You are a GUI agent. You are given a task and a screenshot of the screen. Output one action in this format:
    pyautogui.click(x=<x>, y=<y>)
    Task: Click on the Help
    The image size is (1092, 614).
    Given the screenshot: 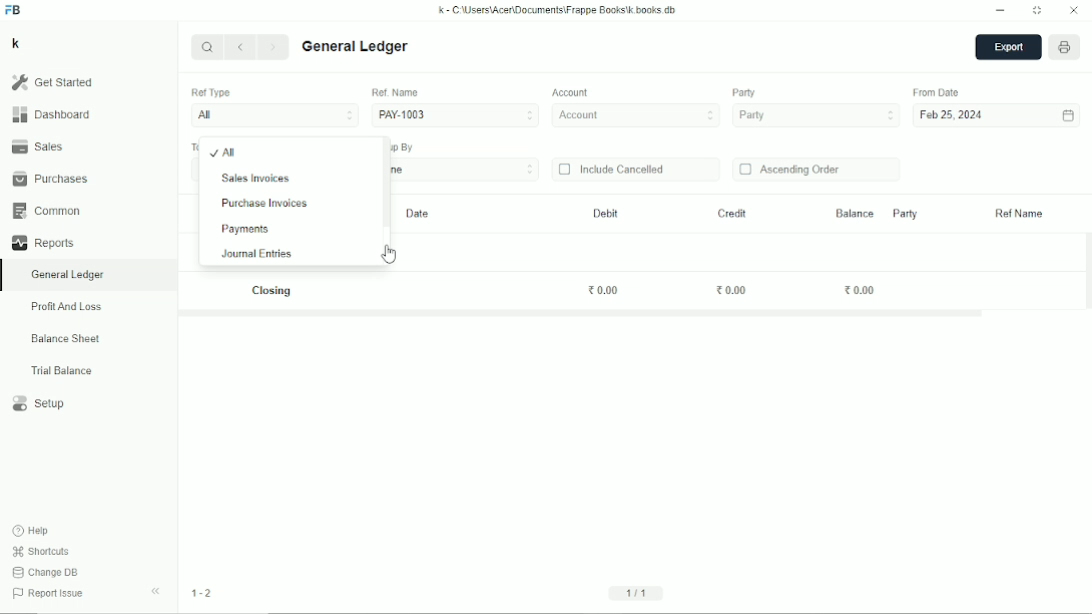 What is the action you would take?
    pyautogui.click(x=33, y=531)
    